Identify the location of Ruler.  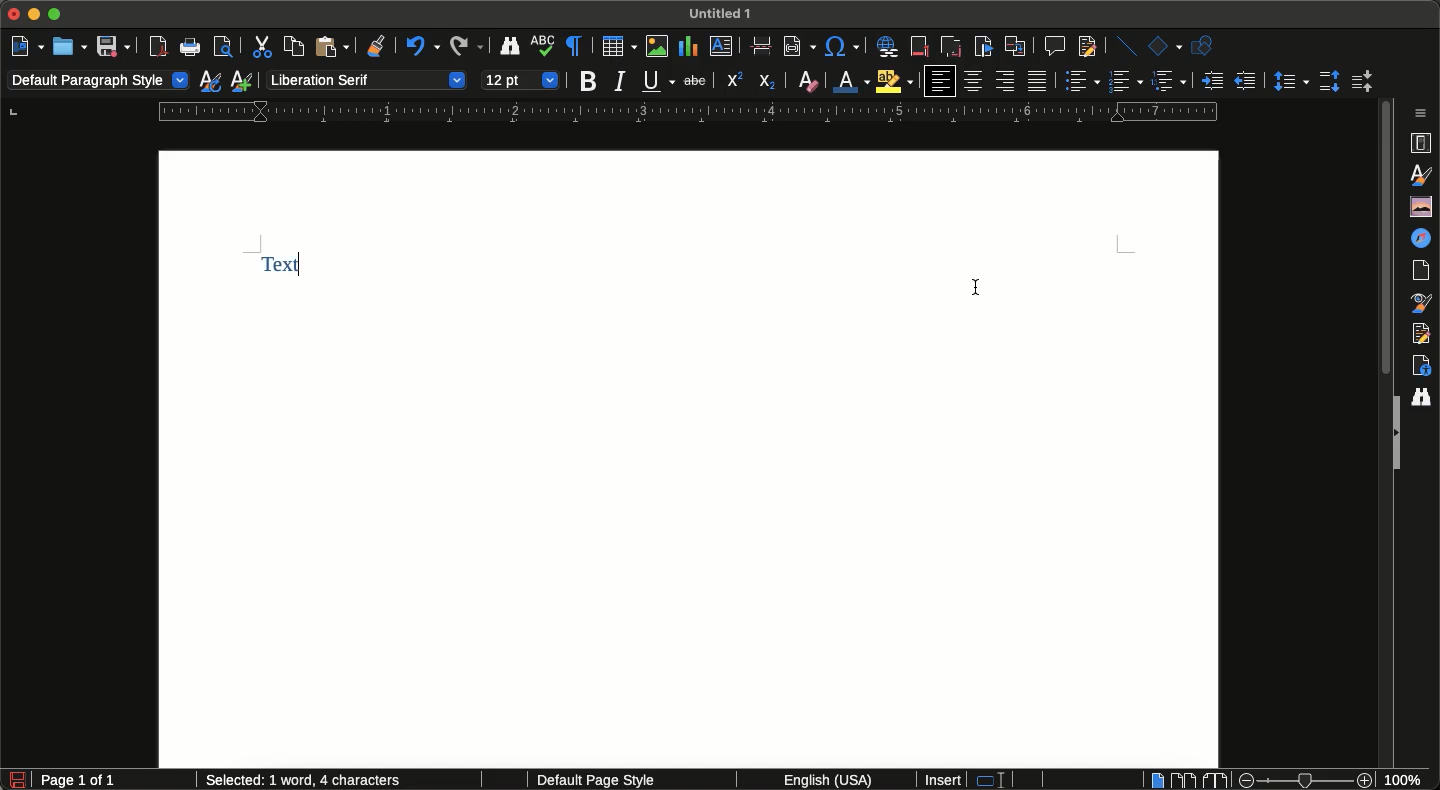
(688, 112).